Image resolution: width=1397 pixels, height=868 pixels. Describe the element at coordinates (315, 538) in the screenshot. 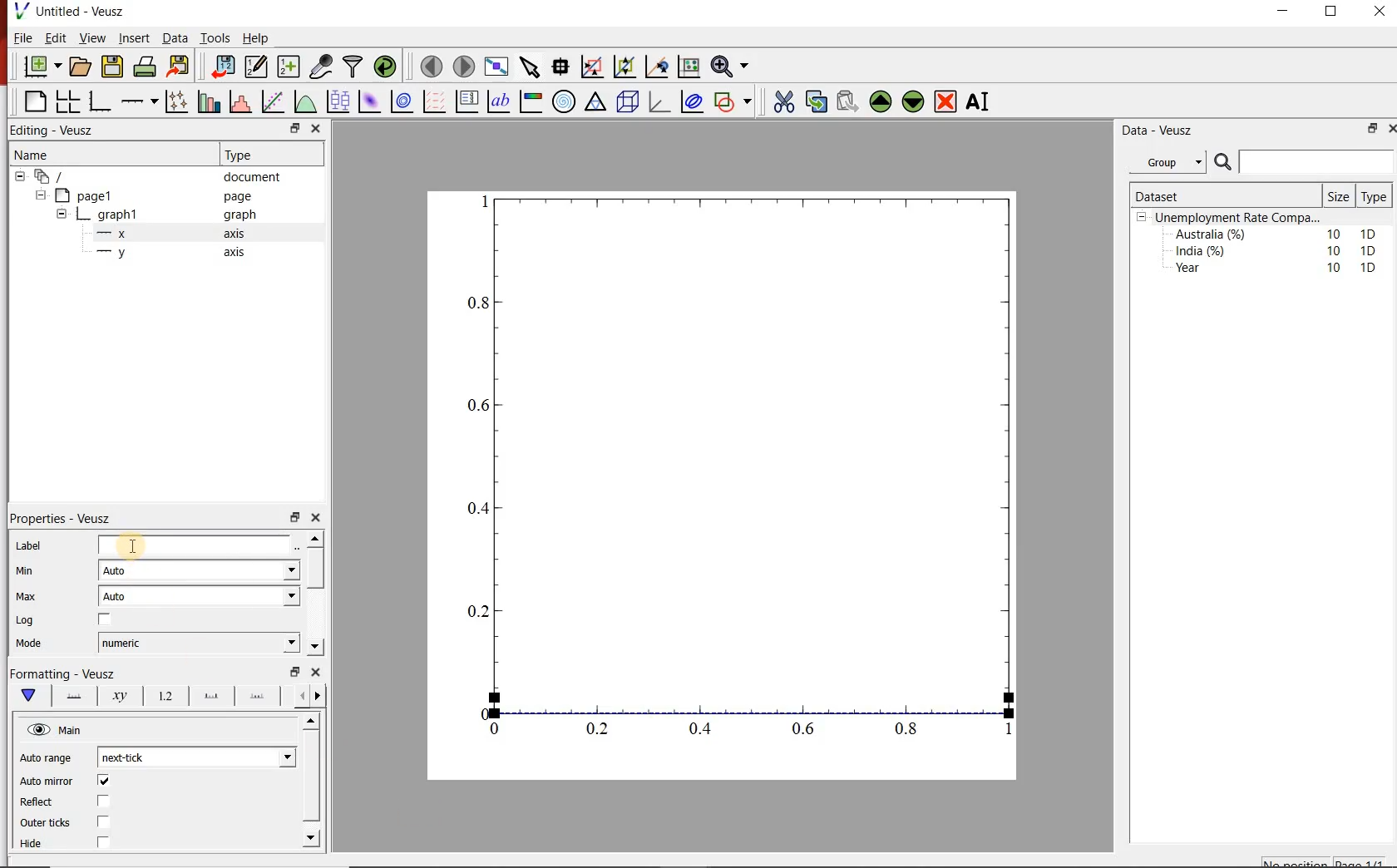

I see `move up` at that location.